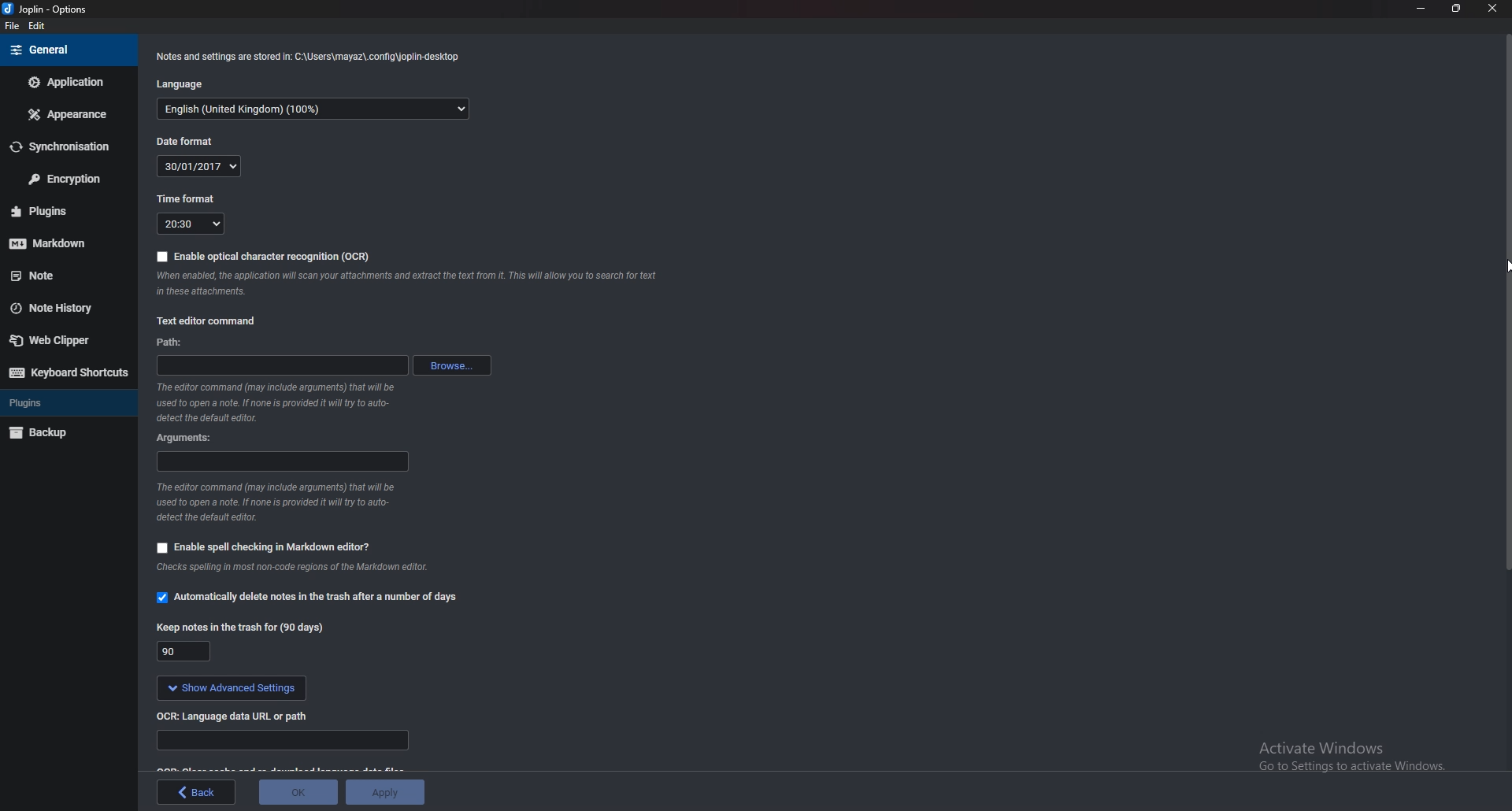  Describe the element at coordinates (281, 740) in the screenshot. I see `Language data` at that location.